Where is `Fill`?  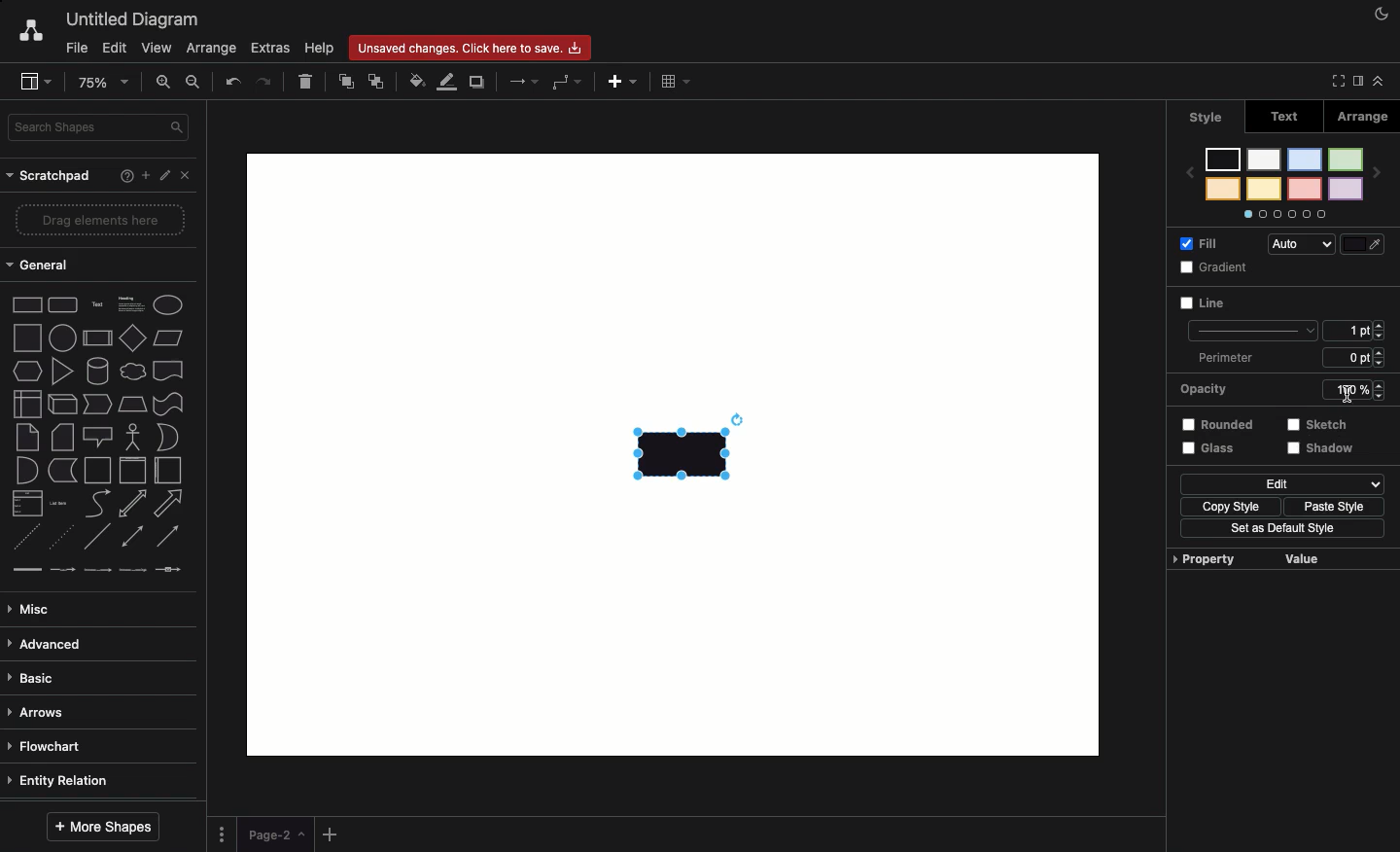
Fill is located at coordinates (1366, 243).